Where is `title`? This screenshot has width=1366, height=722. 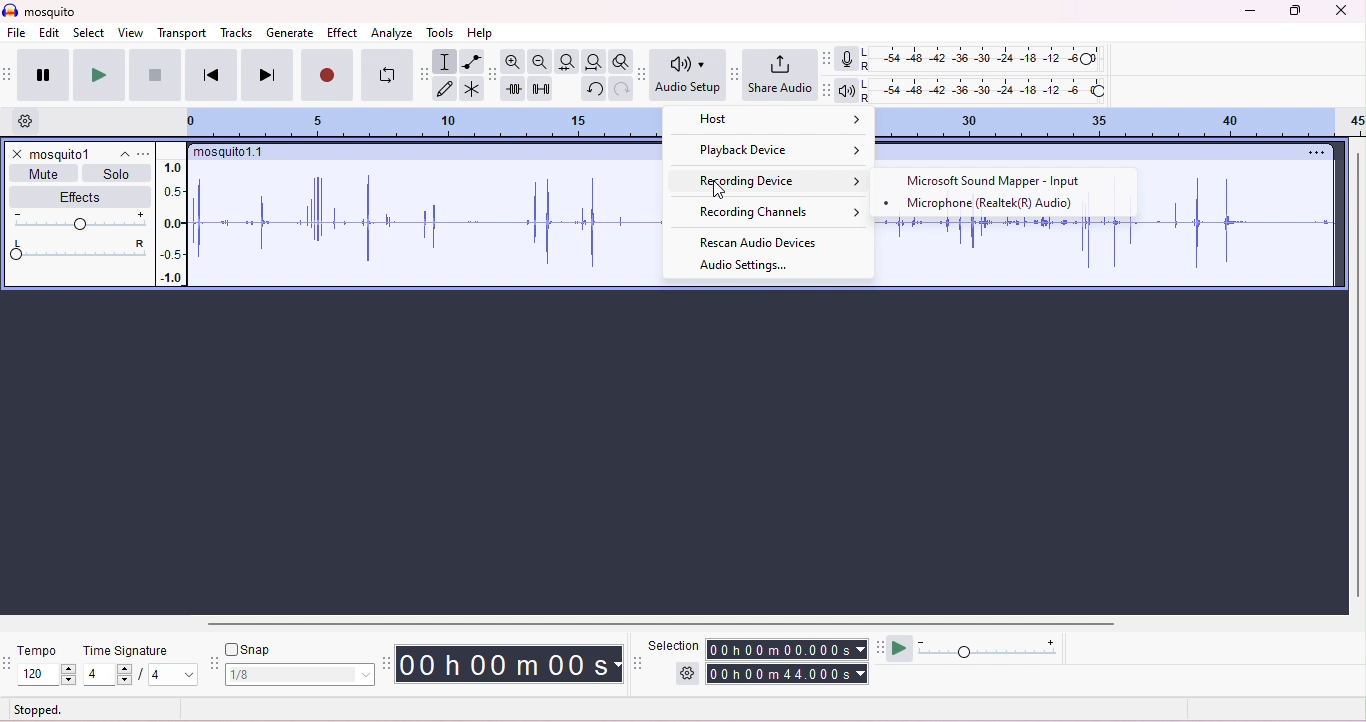
title is located at coordinates (39, 10).